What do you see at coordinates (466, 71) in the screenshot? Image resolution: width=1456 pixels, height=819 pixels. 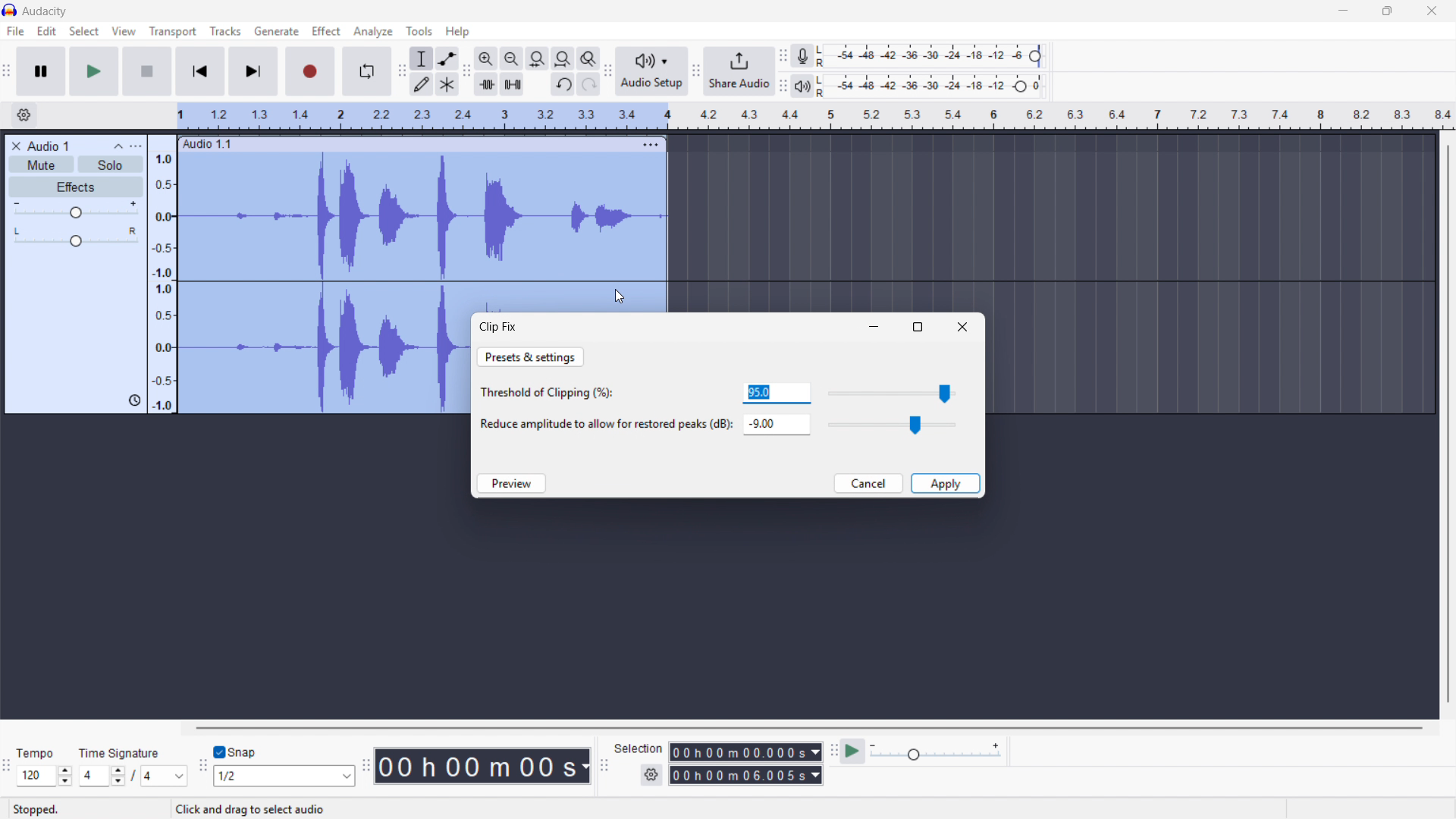 I see `Edit toolbar` at bounding box center [466, 71].